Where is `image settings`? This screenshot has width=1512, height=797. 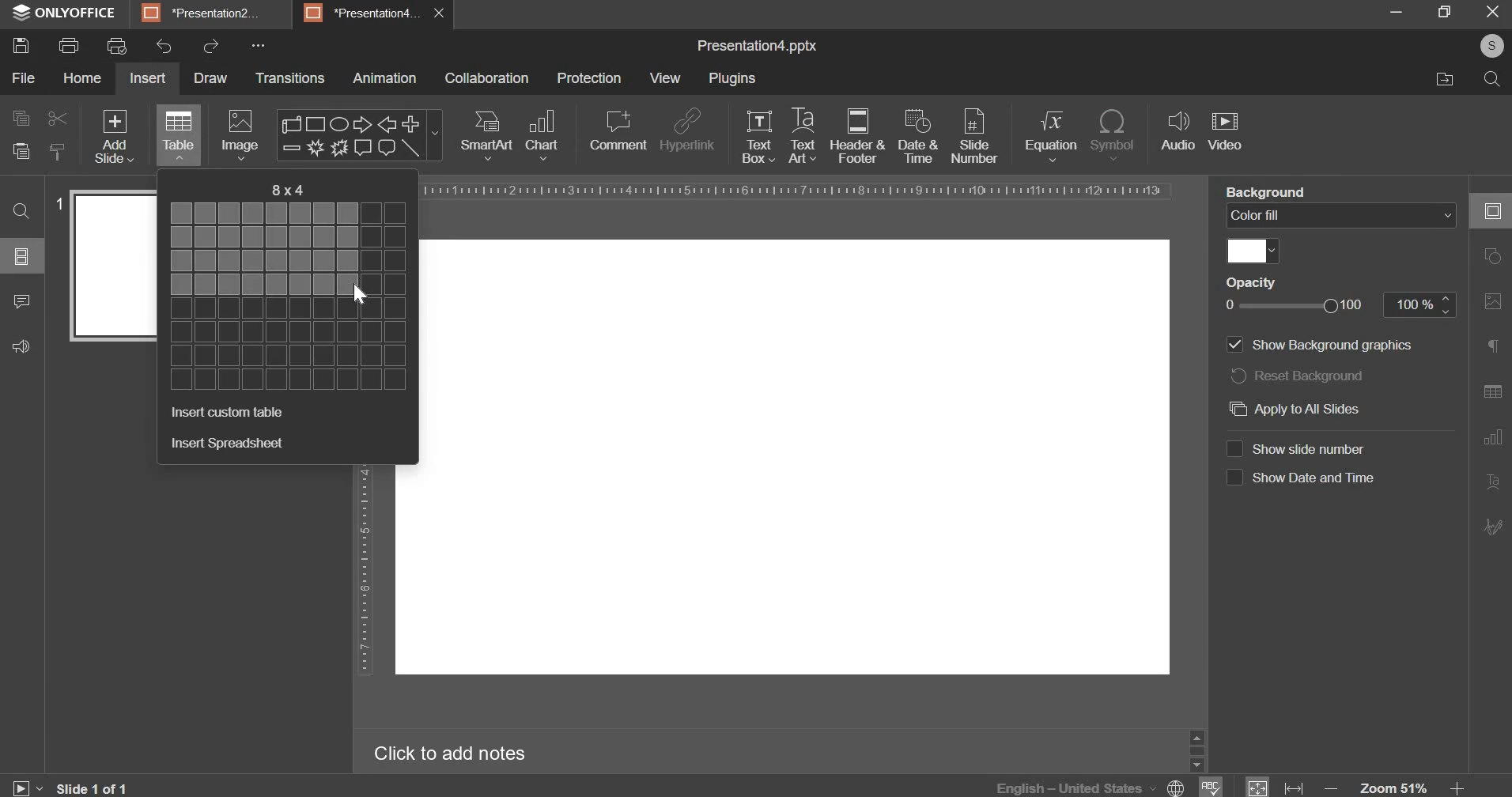
image settings is located at coordinates (1493, 302).